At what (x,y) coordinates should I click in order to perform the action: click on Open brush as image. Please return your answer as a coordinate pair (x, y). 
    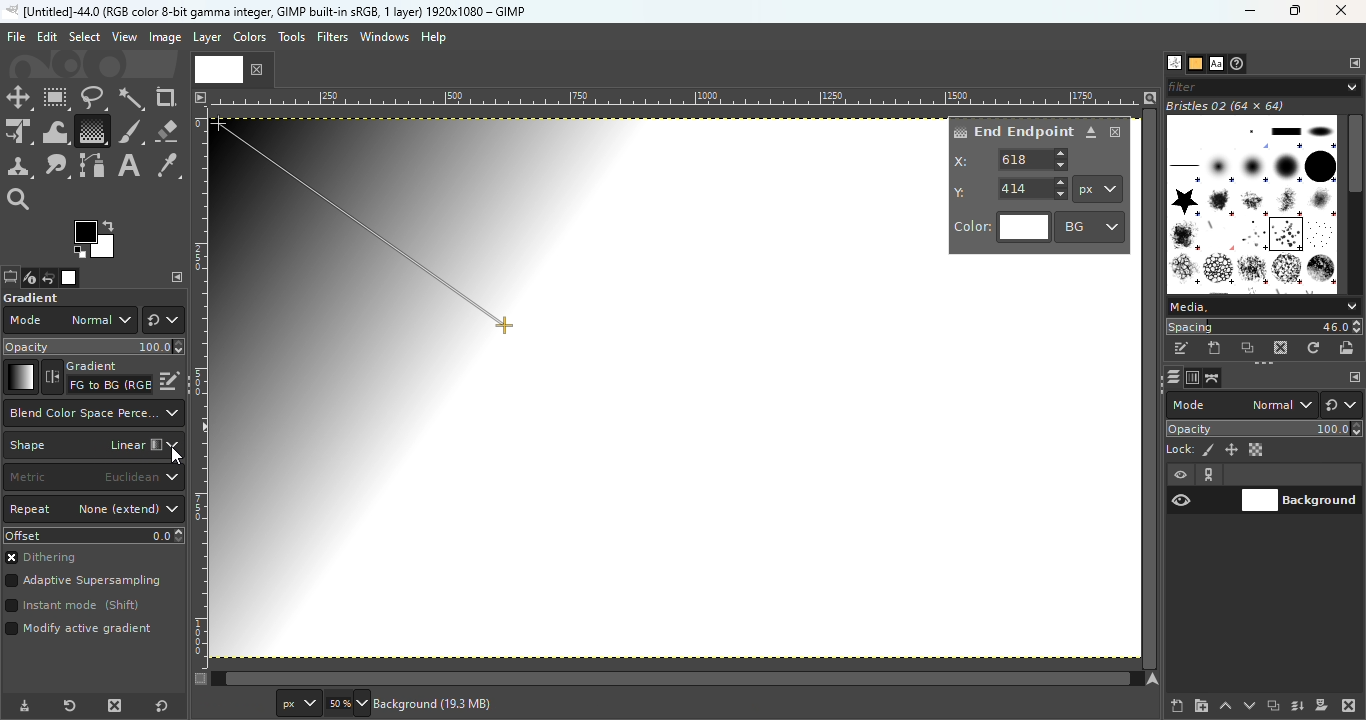
    Looking at the image, I should click on (1348, 347).